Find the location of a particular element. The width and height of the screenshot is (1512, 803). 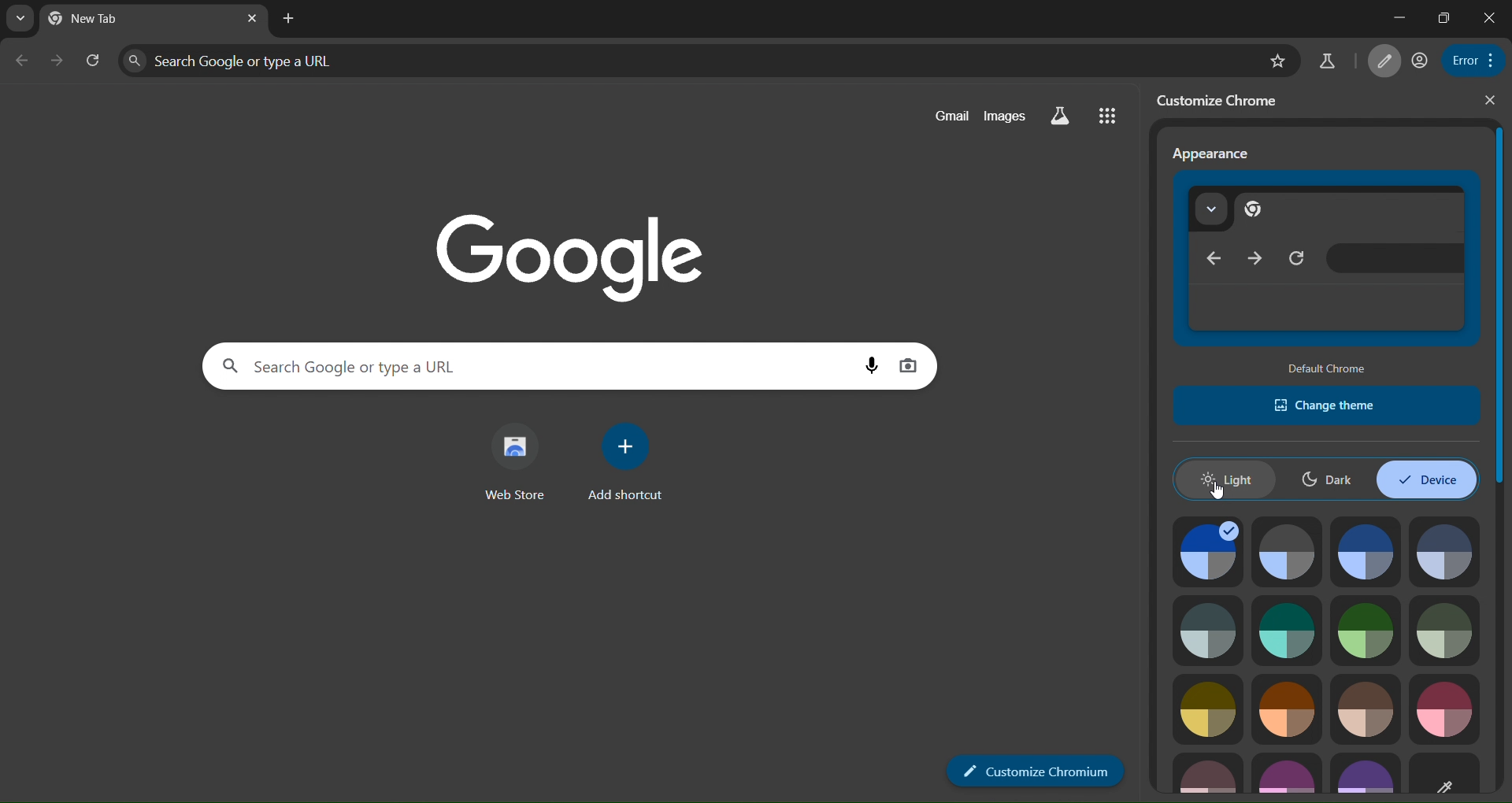

cursor is located at coordinates (1217, 494).